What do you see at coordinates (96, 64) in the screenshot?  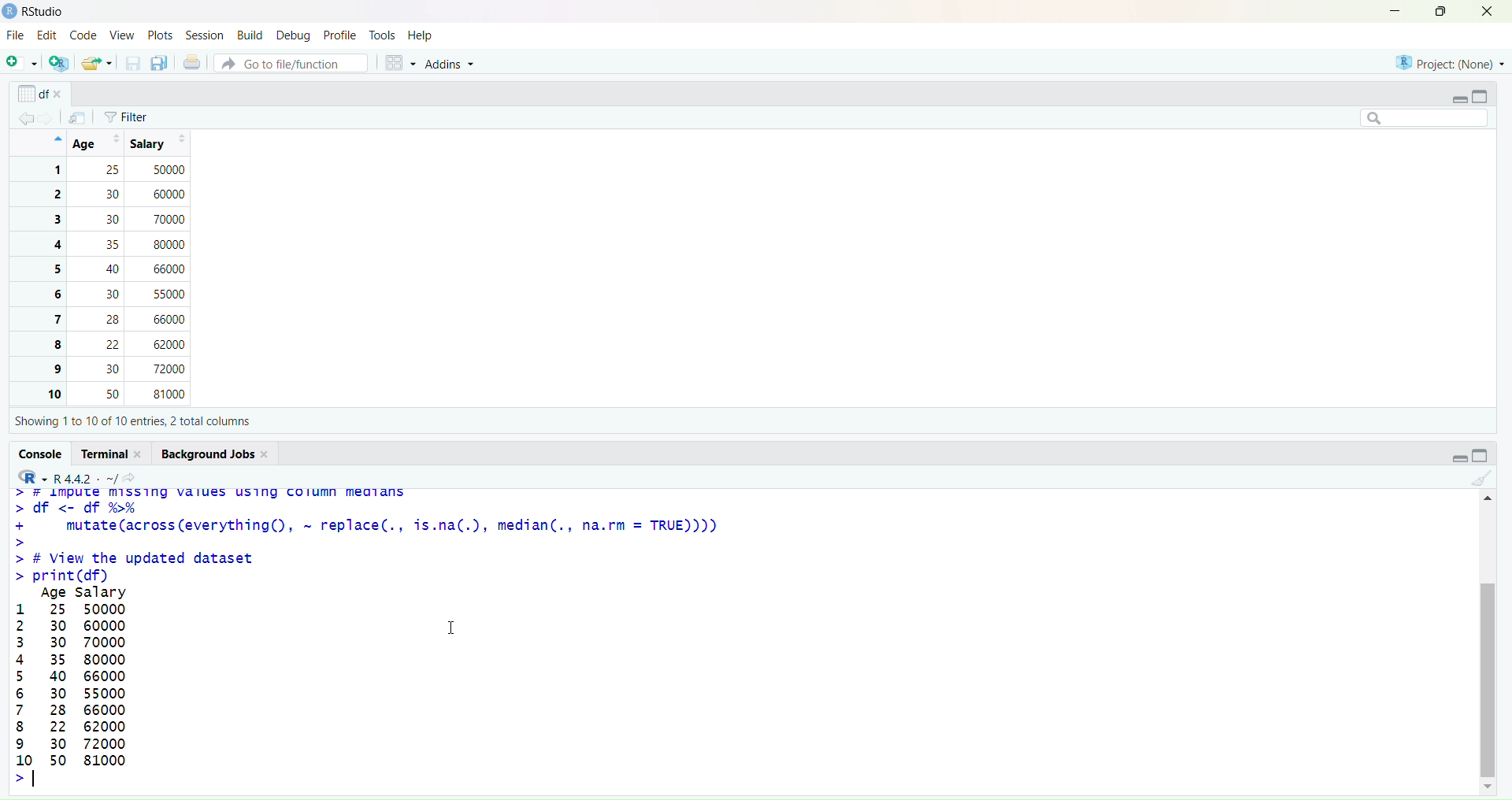 I see `open an existing file` at bounding box center [96, 64].